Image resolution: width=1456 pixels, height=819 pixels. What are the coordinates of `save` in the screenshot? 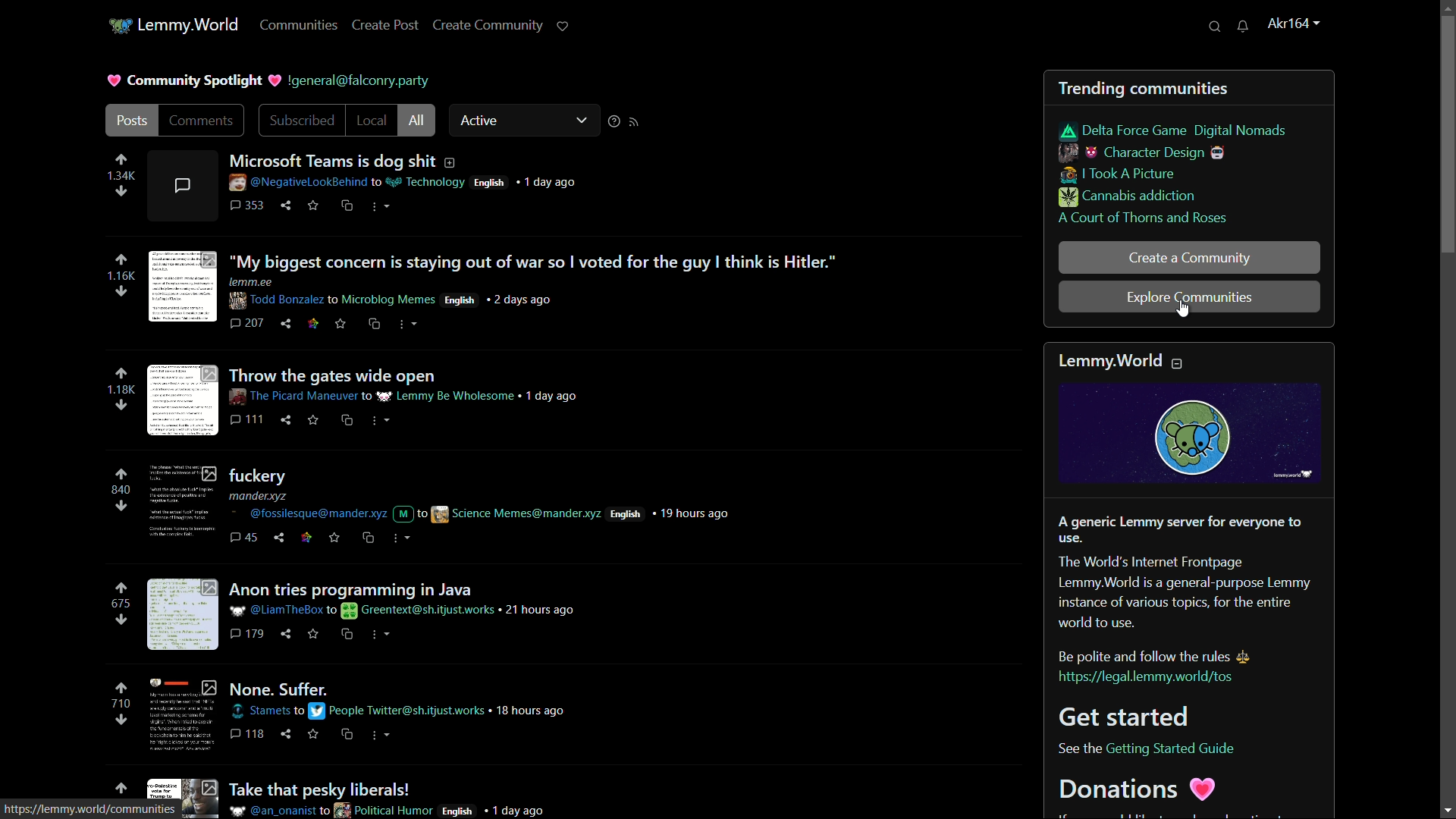 It's located at (312, 206).